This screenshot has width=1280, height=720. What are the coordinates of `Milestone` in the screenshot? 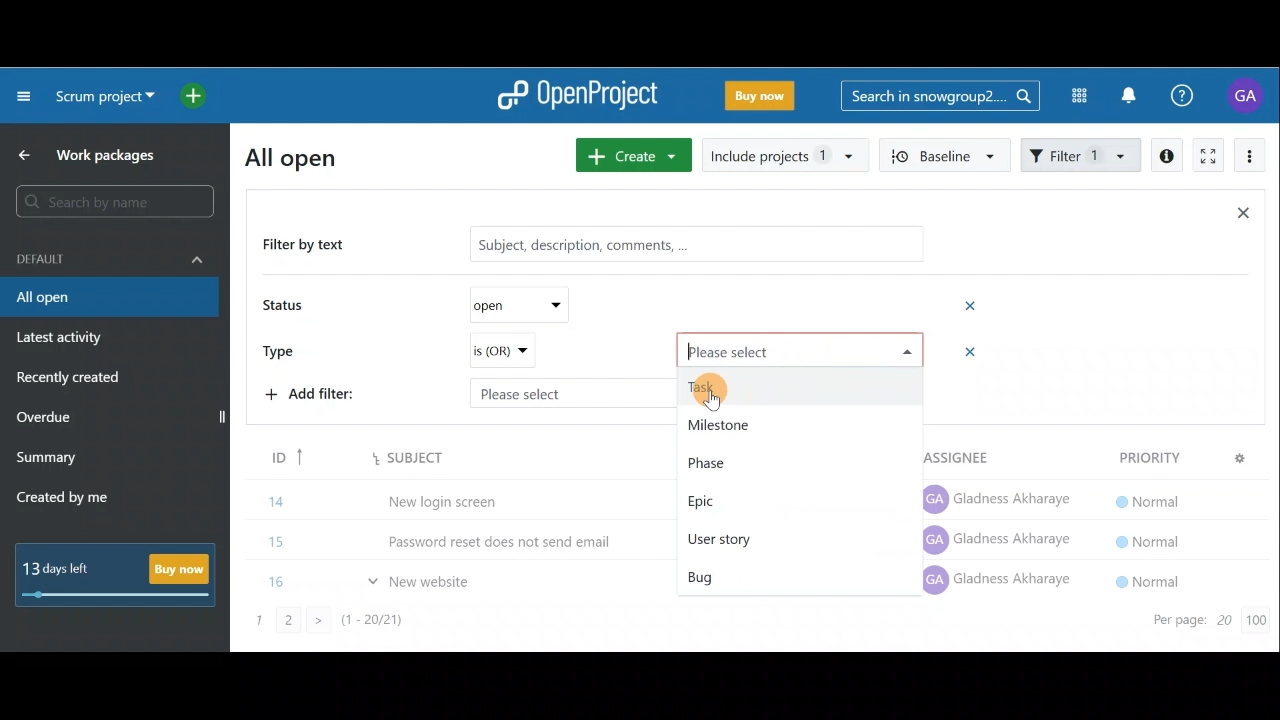 It's located at (796, 422).